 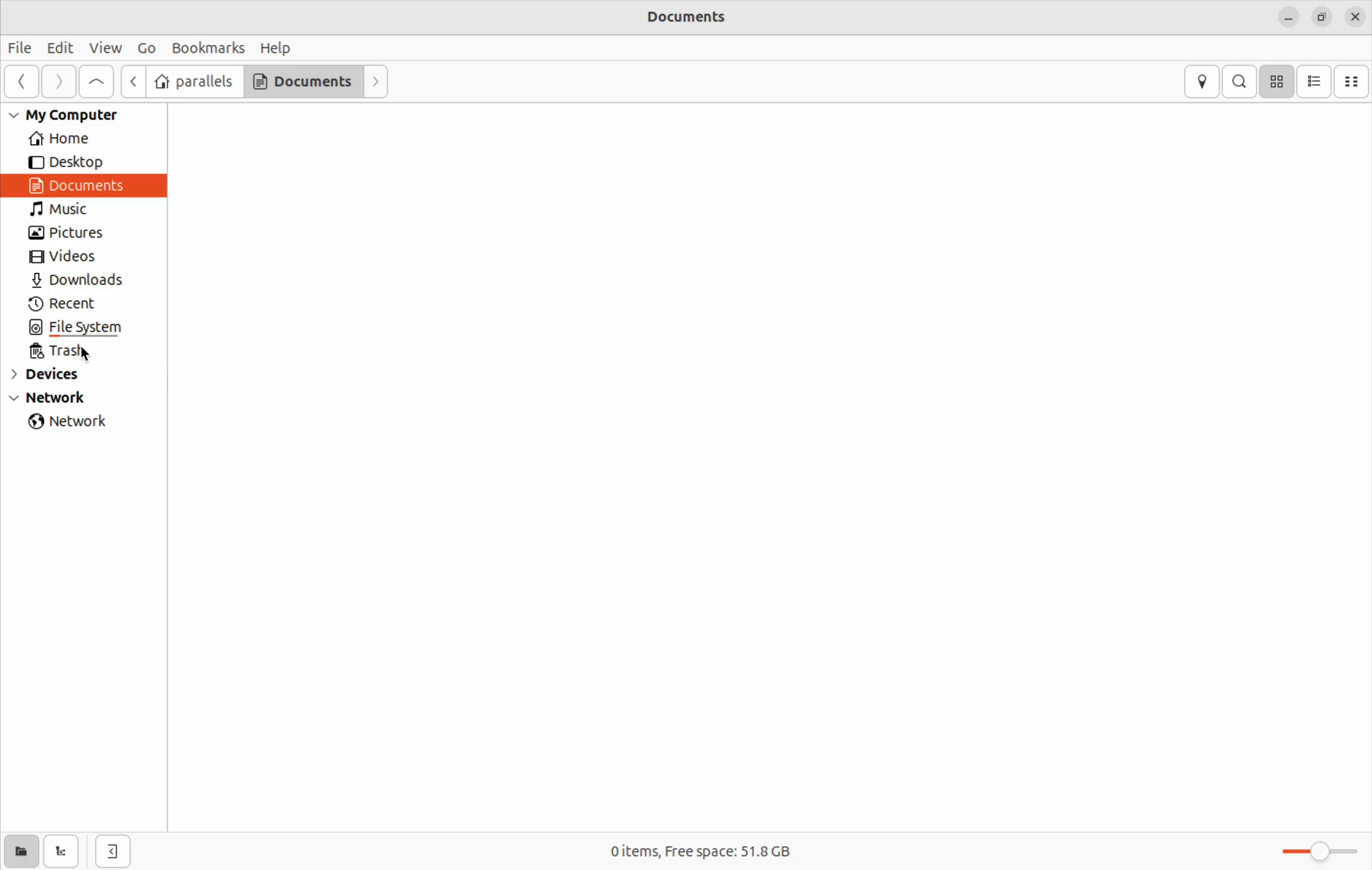 I want to click on next, so click(x=132, y=80).